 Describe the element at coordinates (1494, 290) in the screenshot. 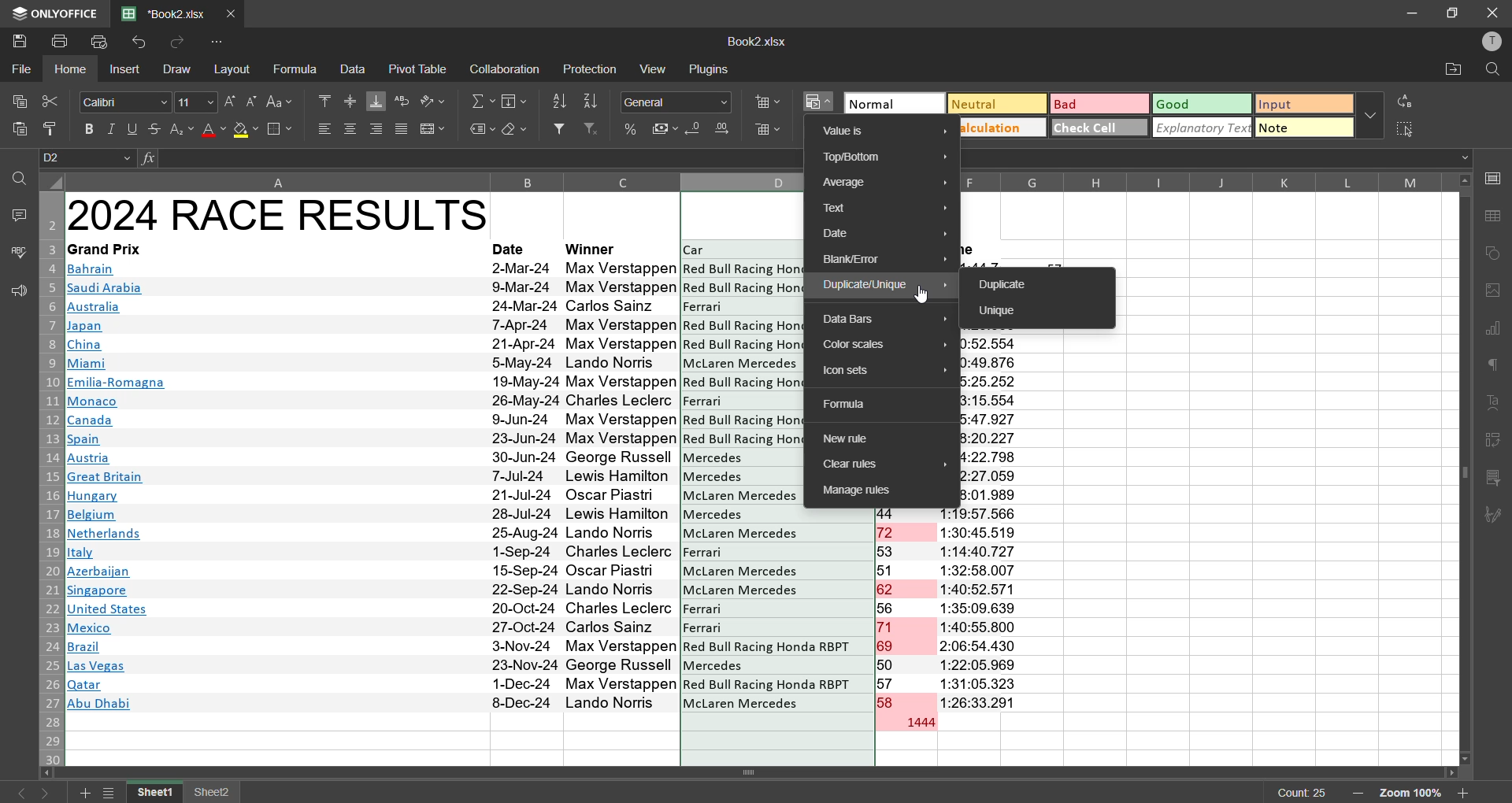

I see `images` at that location.